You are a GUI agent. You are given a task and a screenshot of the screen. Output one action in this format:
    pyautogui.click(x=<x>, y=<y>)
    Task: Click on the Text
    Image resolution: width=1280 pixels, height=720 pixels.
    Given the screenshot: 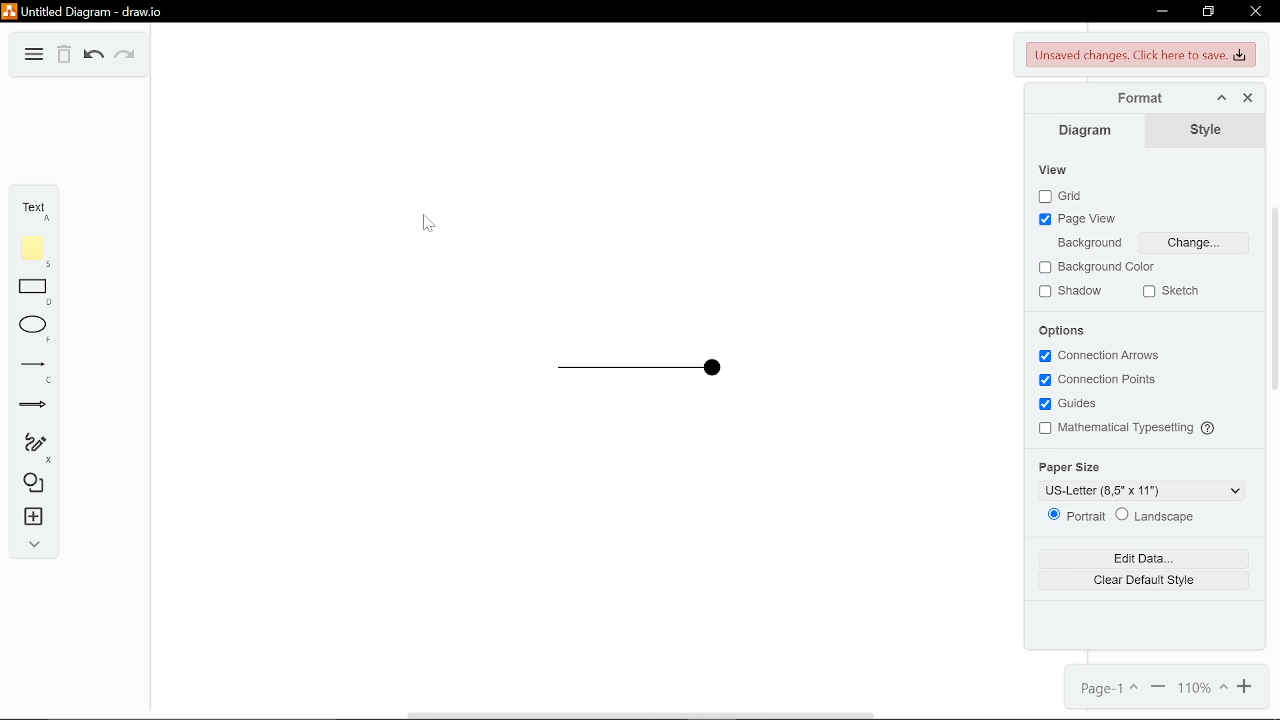 What is the action you would take?
    pyautogui.click(x=32, y=208)
    